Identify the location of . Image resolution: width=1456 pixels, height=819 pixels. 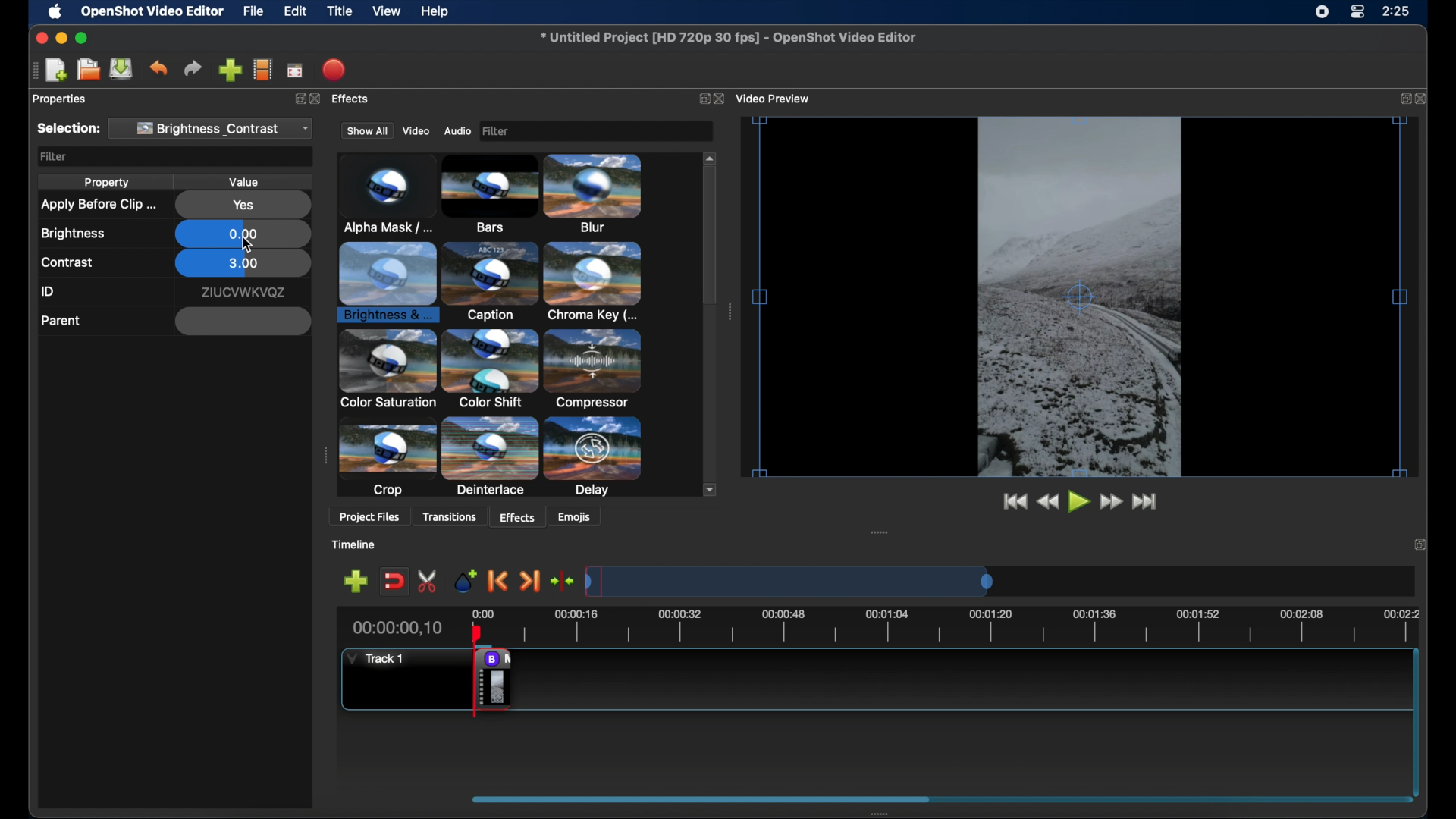
(318, 97).